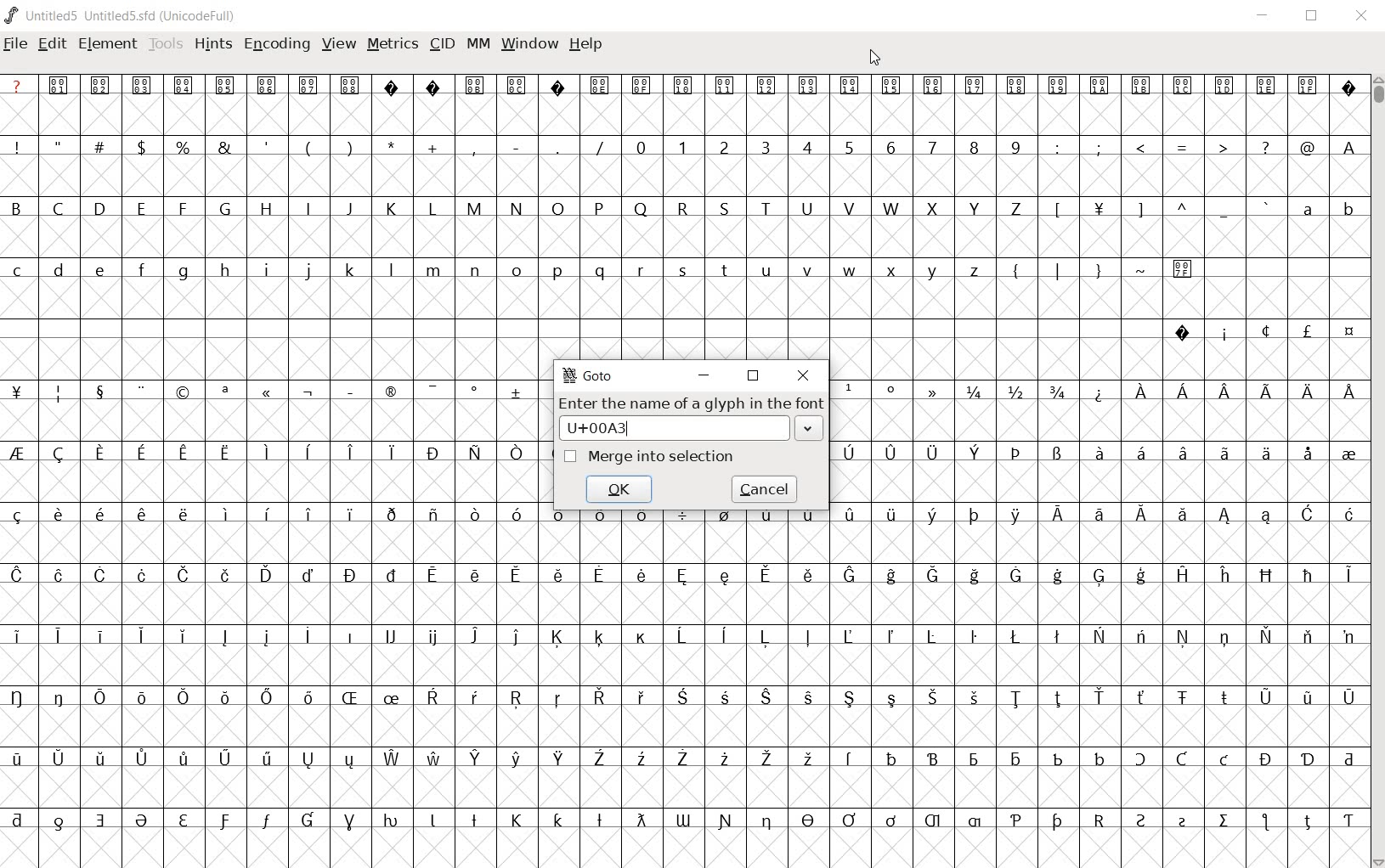  What do you see at coordinates (1015, 758) in the screenshot?
I see `Symbol` at bounding box center [1015, 758].